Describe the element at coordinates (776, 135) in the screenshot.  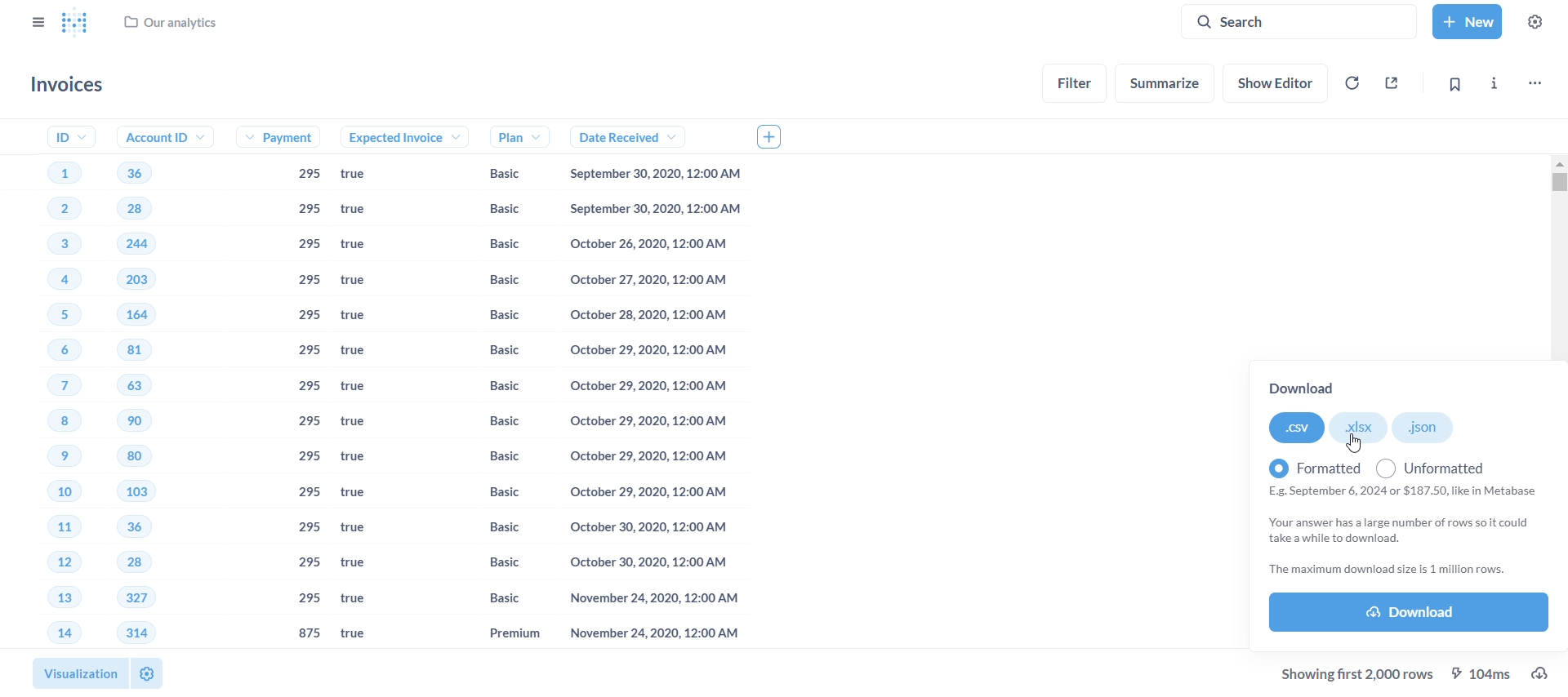
I see `add column` at that location.